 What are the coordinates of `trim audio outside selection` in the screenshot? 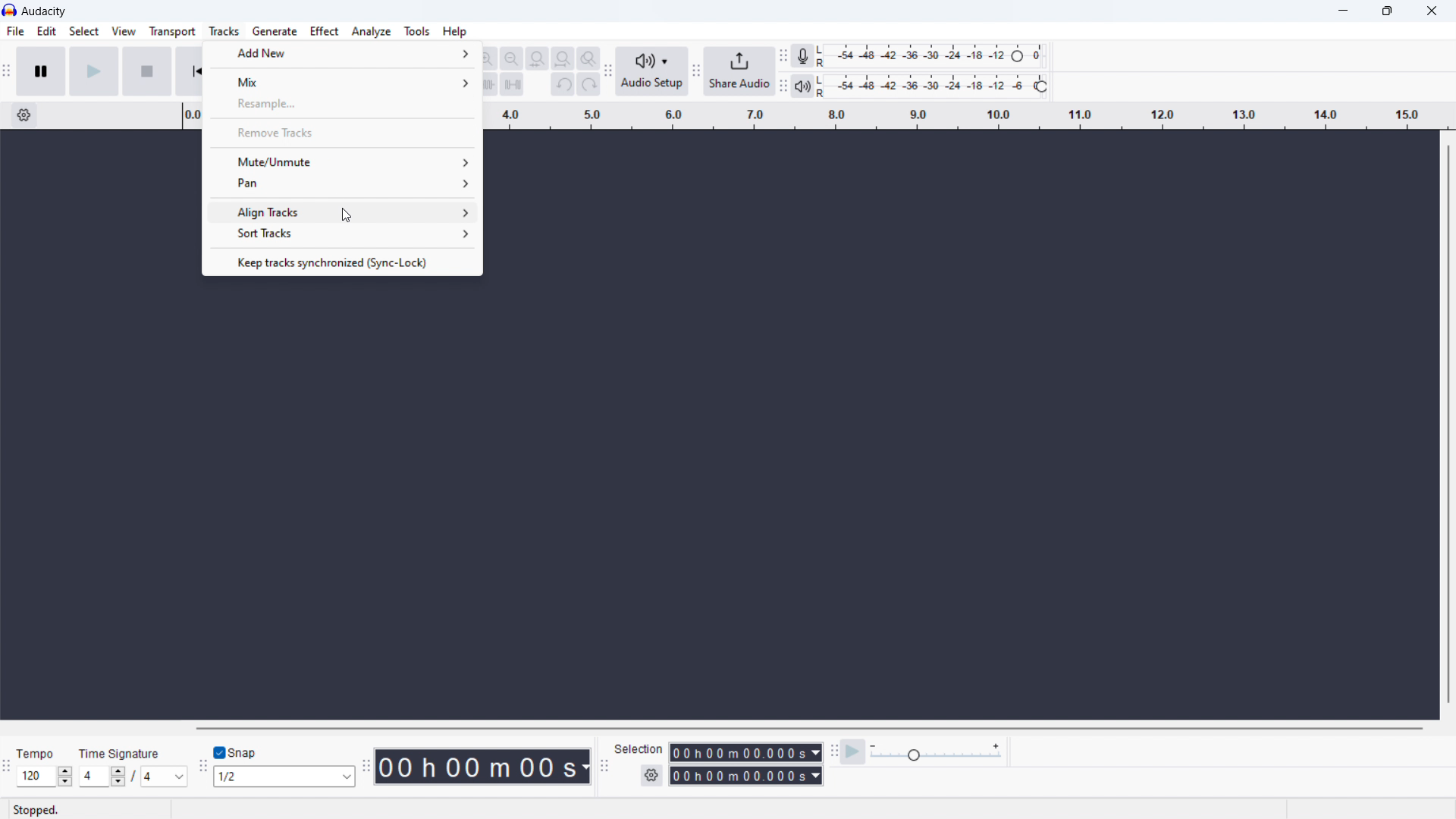 It's located at (487, 84).